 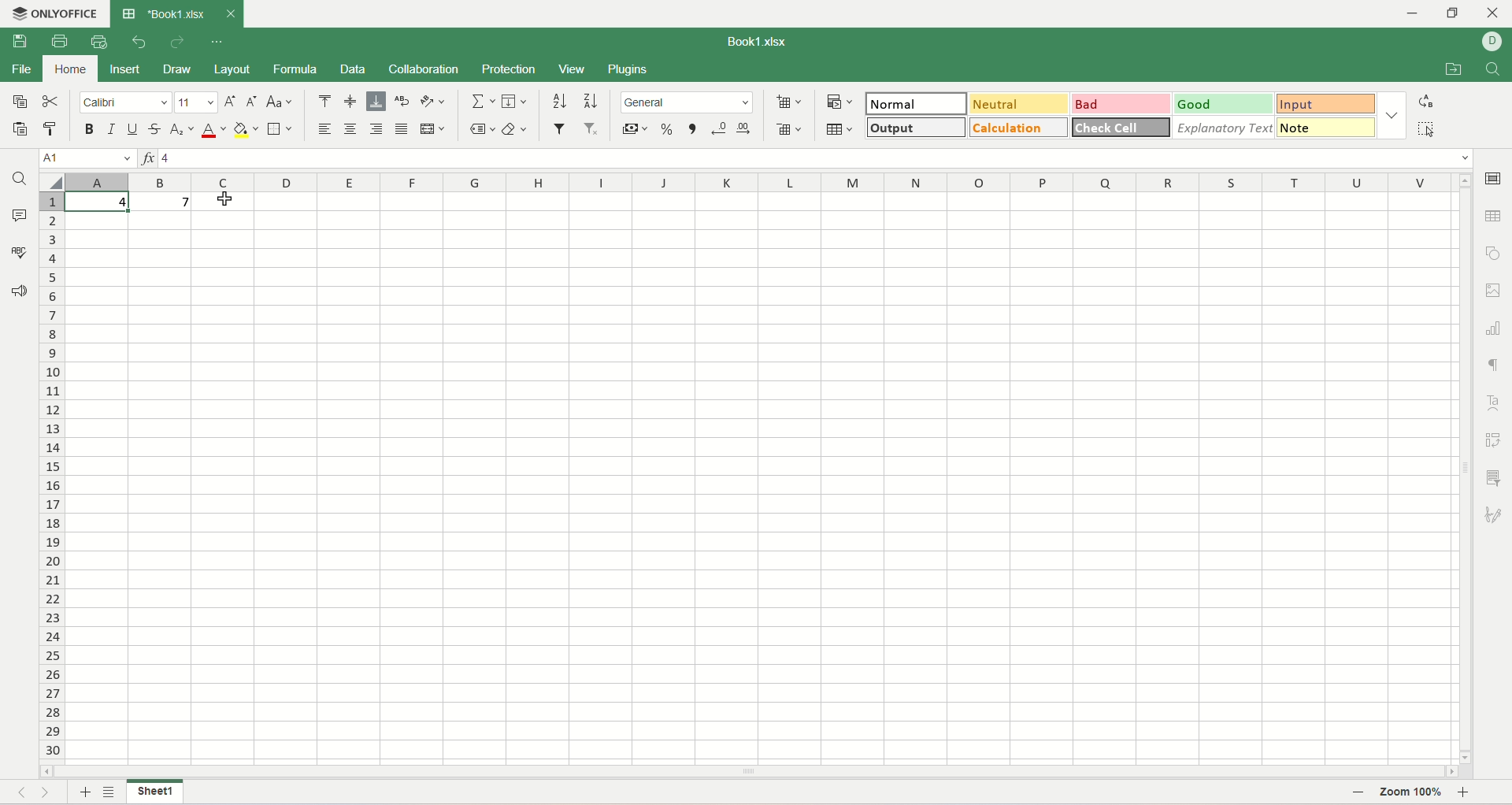 What do you see at coordinates (839, 127) in the screenshot?
I see `insert table` at bounding box center [839, 127].